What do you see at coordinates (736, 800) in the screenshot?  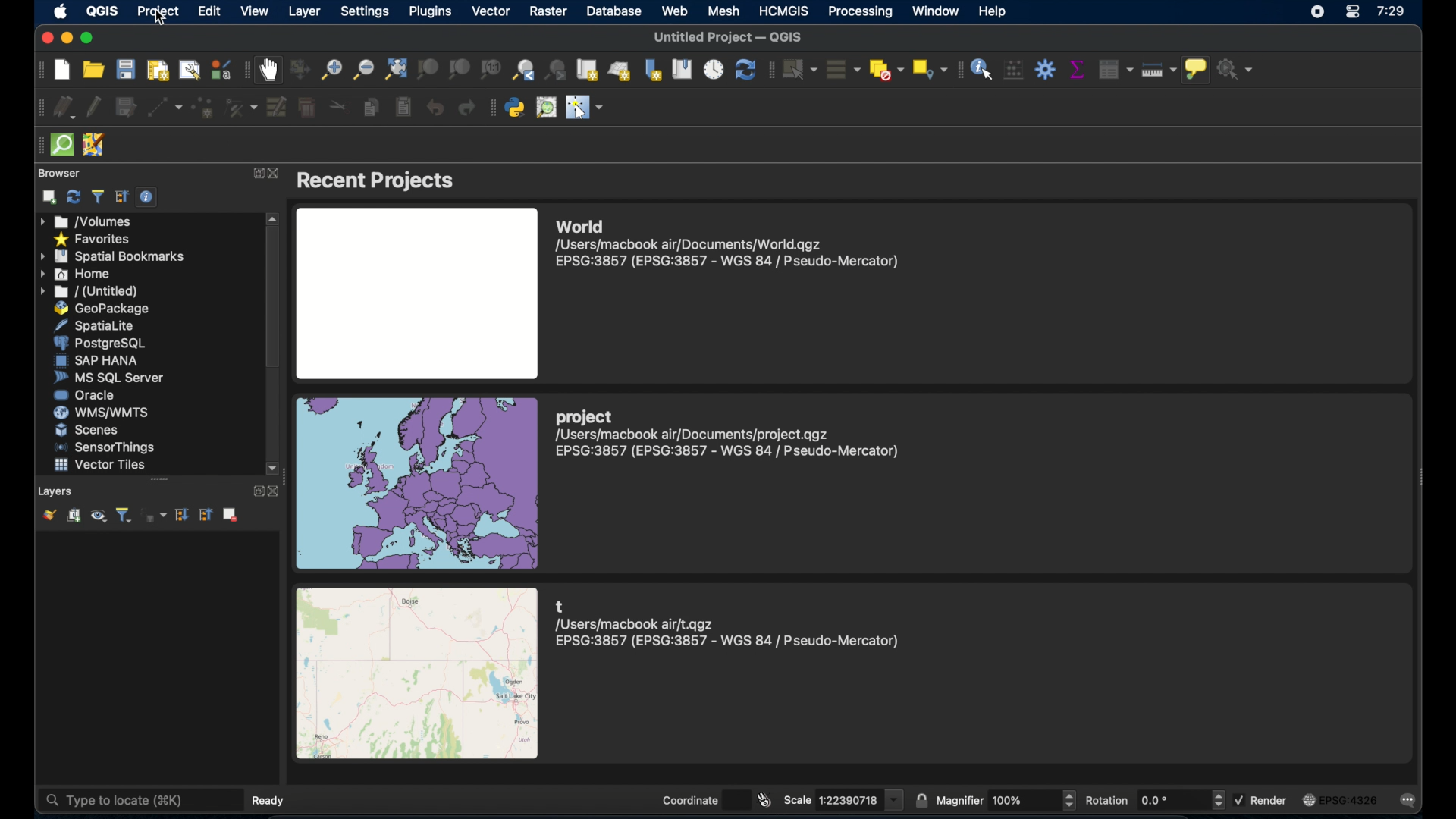 I see `coordinate value` at bounding box center [736, 800].